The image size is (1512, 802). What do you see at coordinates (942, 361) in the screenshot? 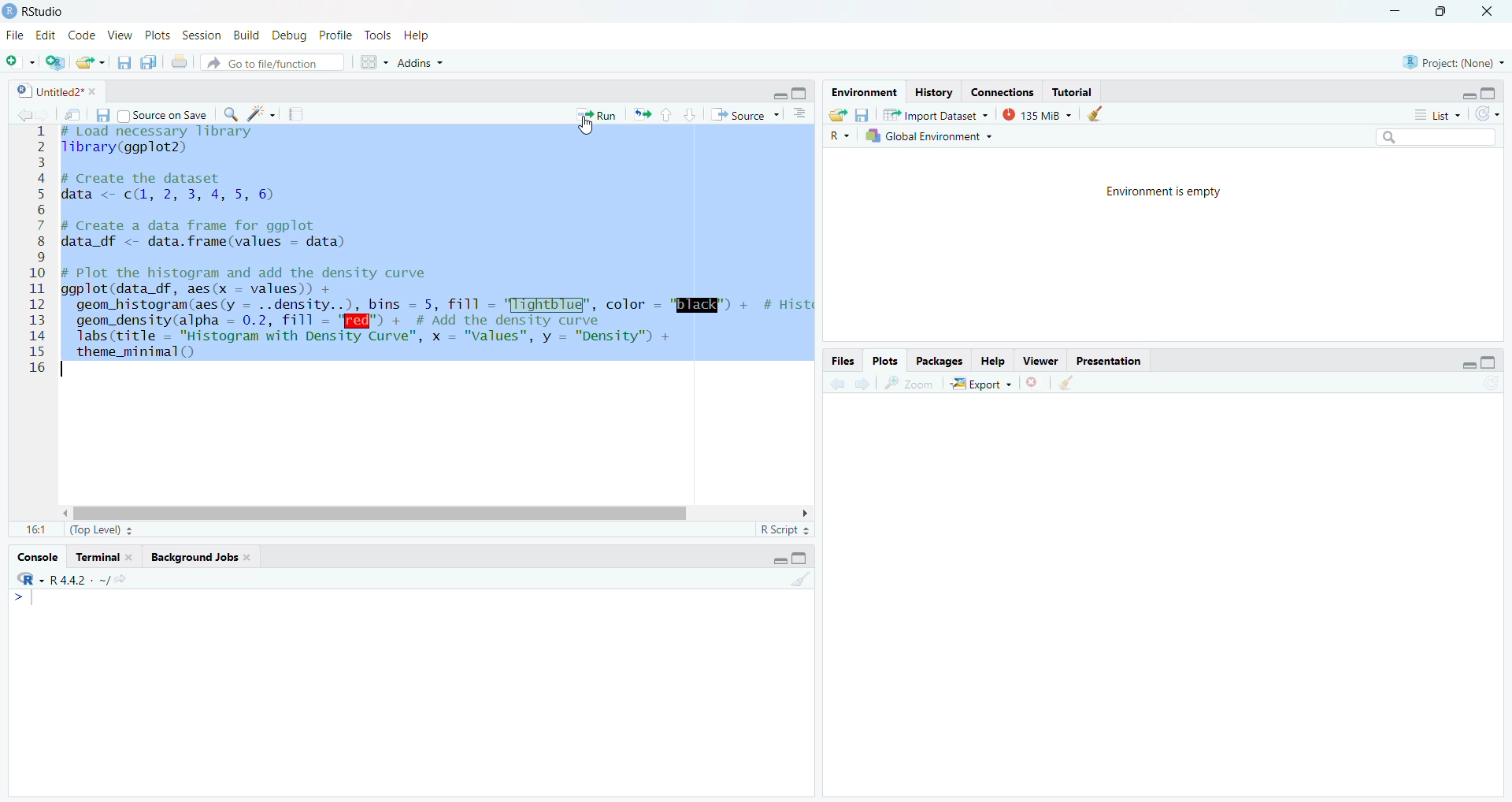
I see `Packages` at bounding box center [942, 361].